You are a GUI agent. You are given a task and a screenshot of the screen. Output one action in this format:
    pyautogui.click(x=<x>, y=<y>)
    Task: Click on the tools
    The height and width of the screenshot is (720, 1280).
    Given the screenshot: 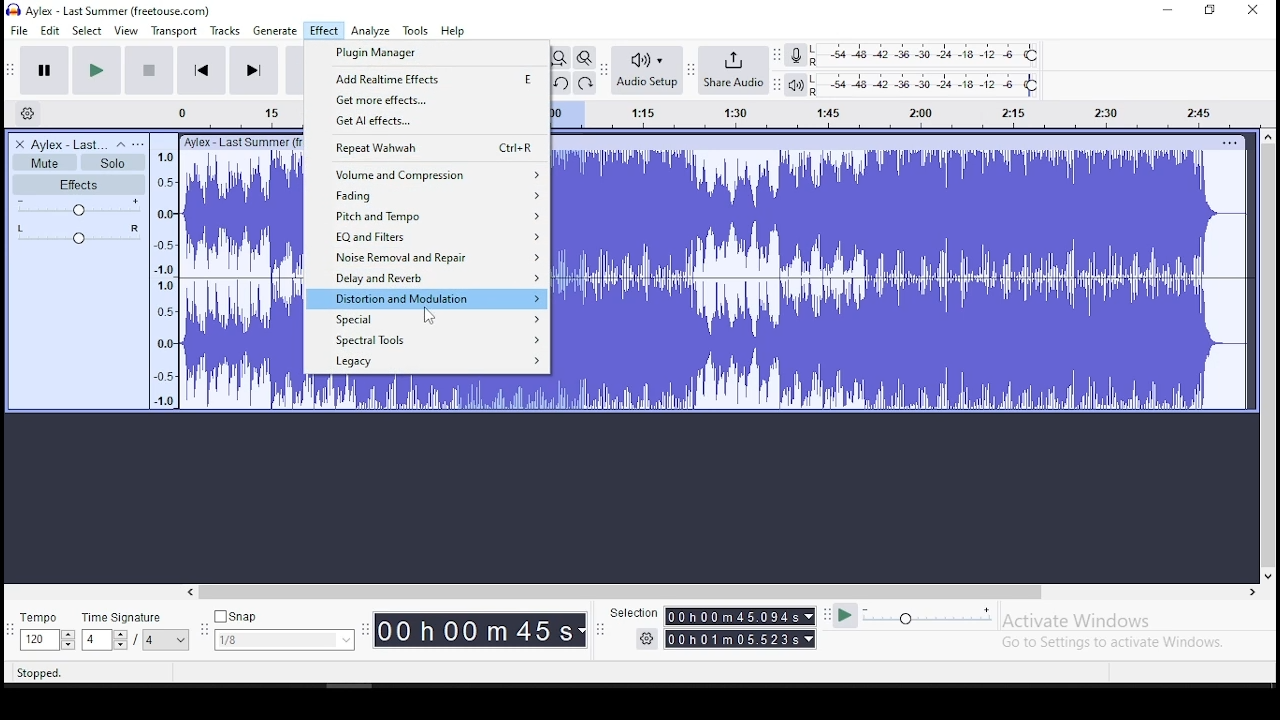 What is the action you would take?
    pyautogui.click(x=416, y=30)
    